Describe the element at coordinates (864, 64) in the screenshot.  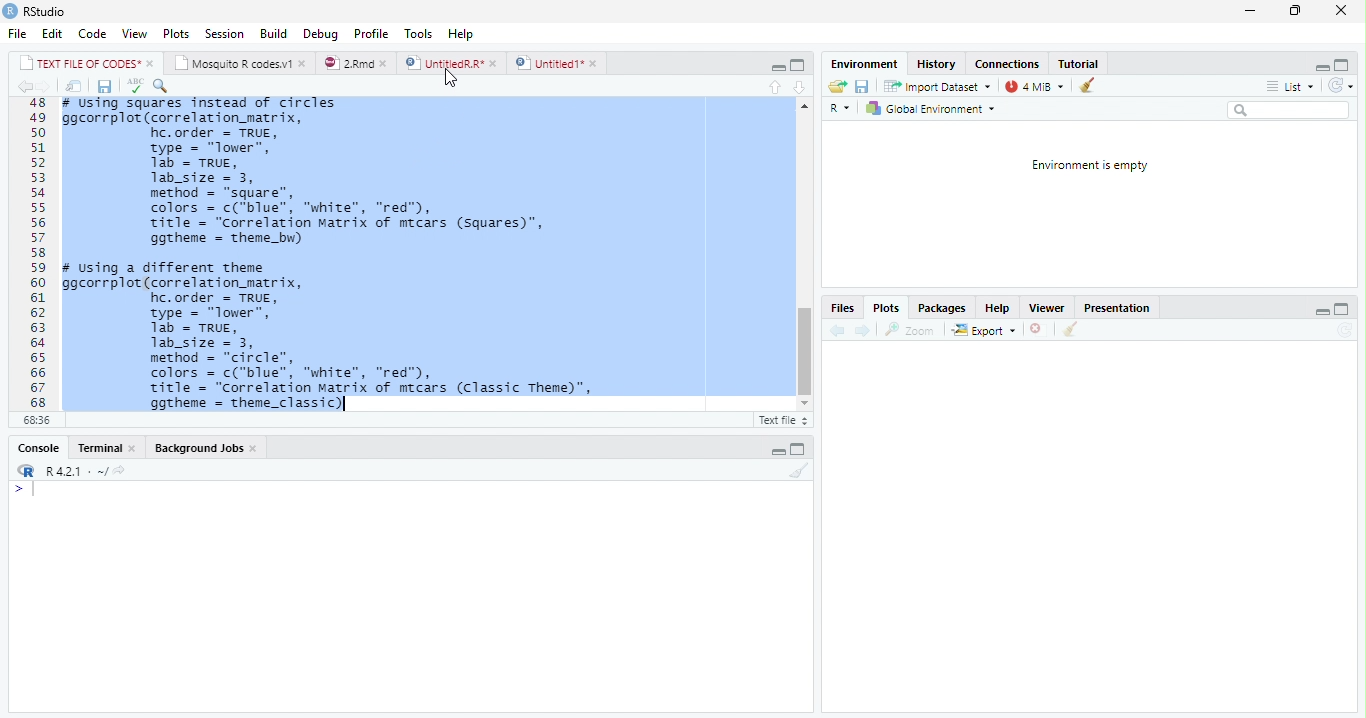
I see `Environment` at that location.